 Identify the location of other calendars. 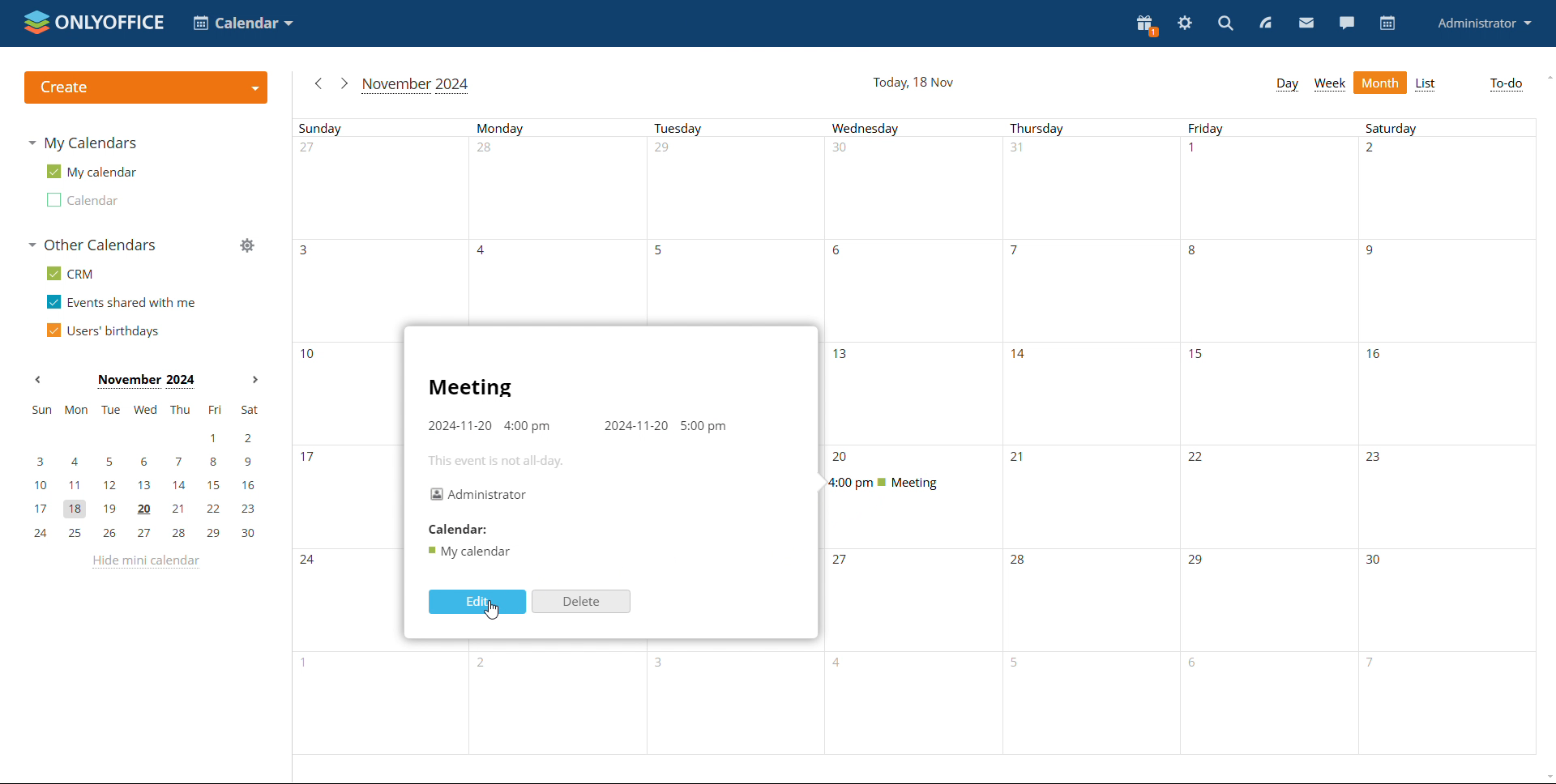
(92, 245).